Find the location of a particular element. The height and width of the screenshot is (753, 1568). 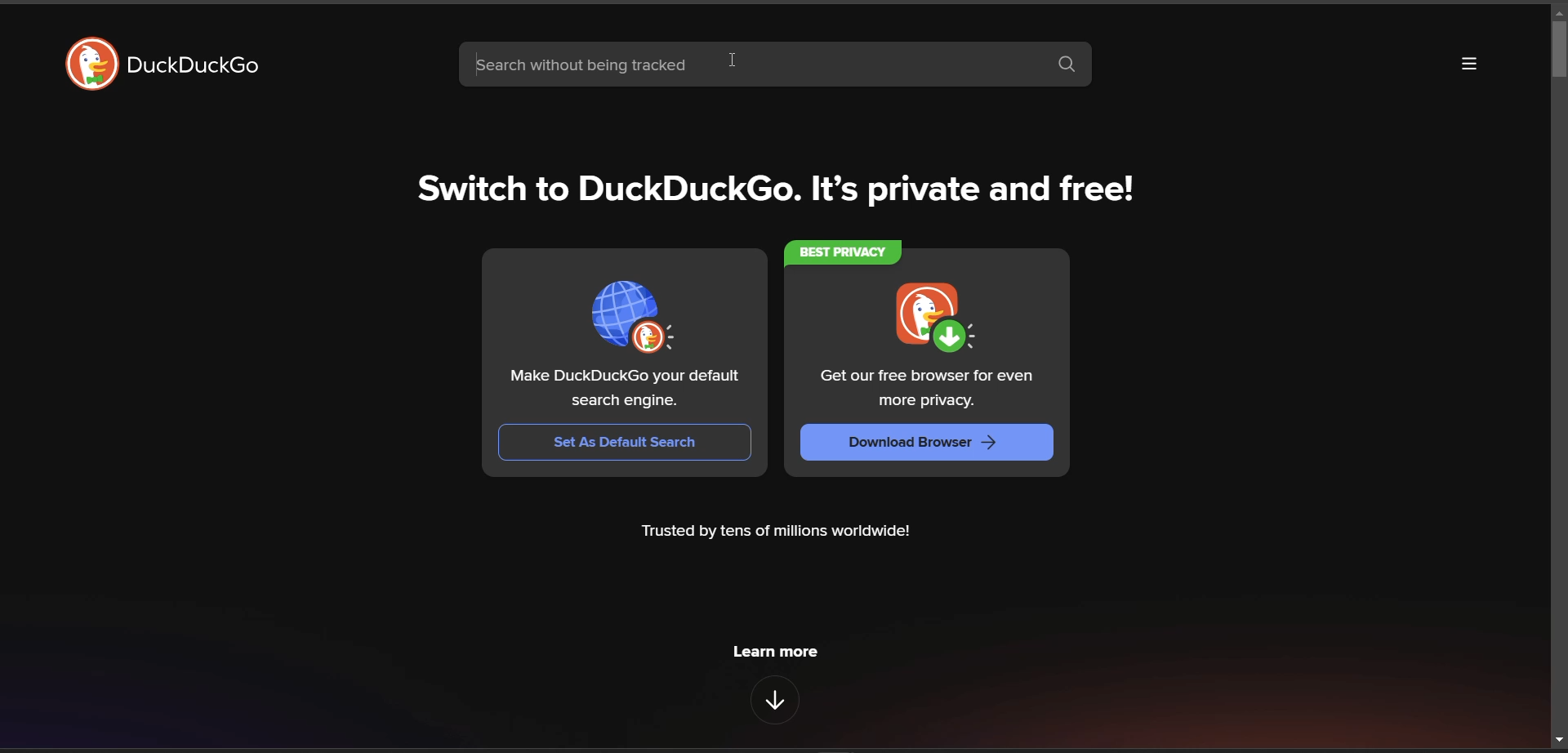

search without being tracked is located at coordinates (750, 66).